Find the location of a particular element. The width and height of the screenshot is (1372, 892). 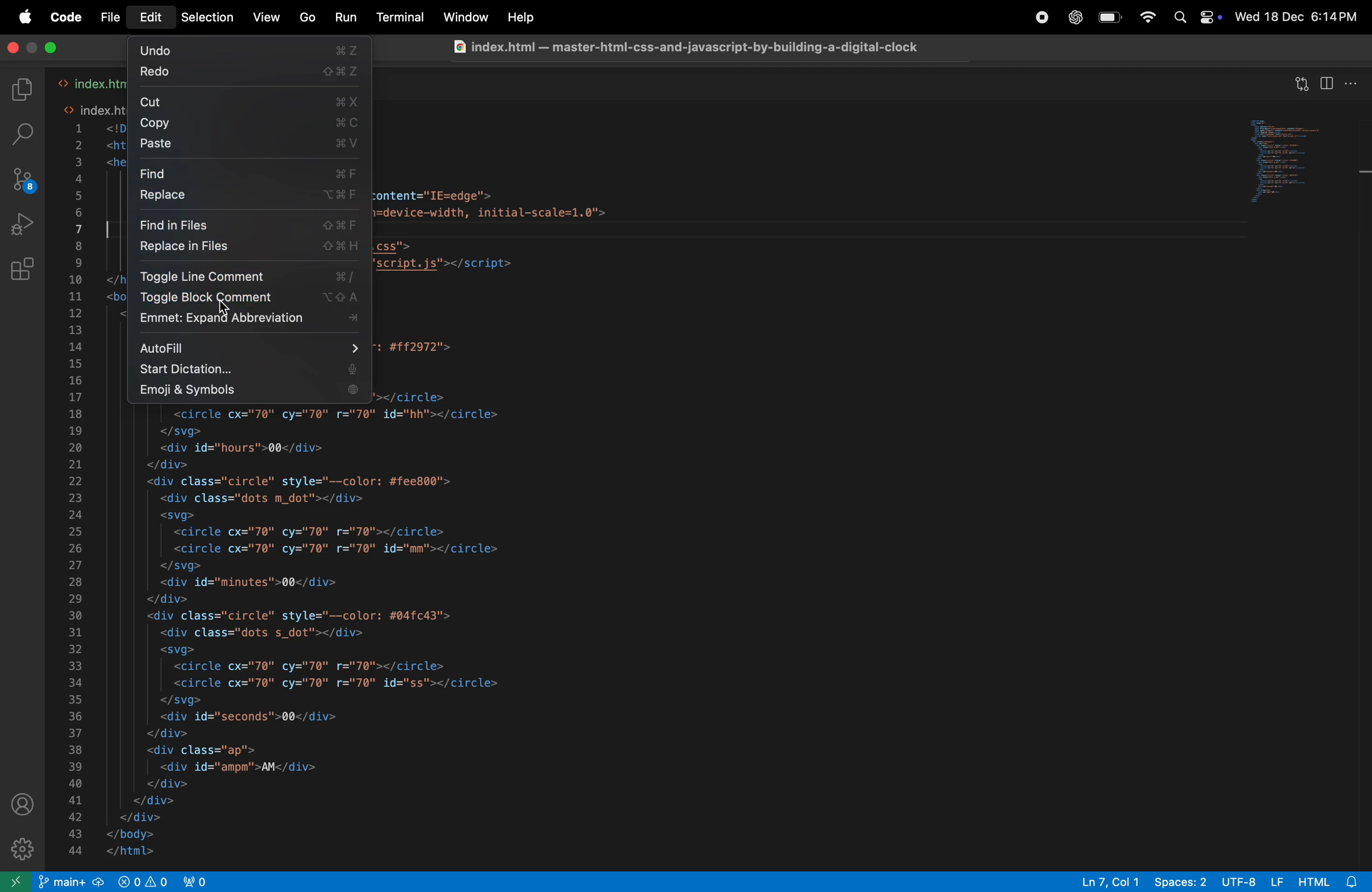

replace is located at coordinates (250, 198).